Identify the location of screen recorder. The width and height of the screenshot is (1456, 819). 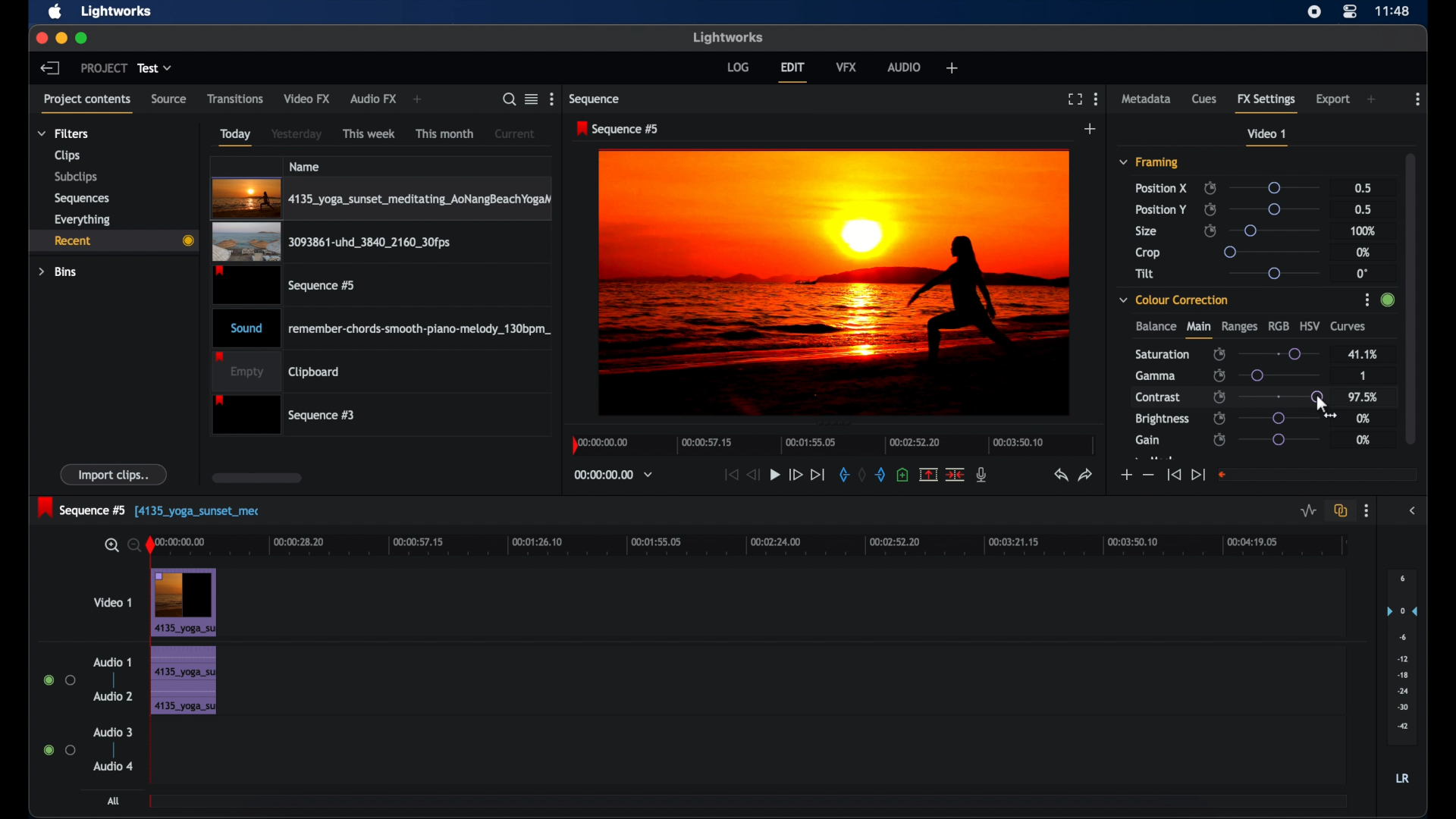
(1315, 11).